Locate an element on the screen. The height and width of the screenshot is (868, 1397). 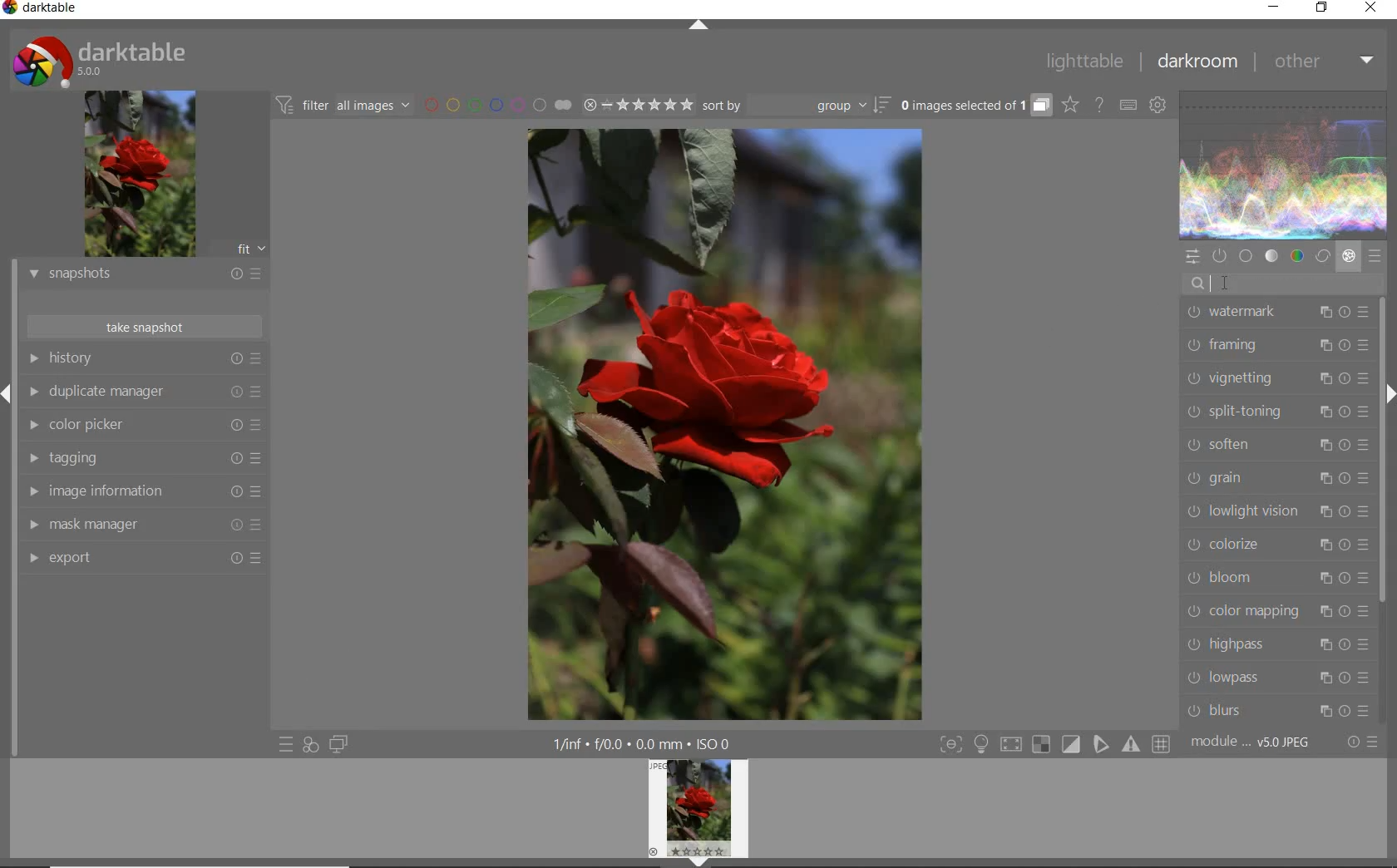
image preview is located at coordinates (698, 813).